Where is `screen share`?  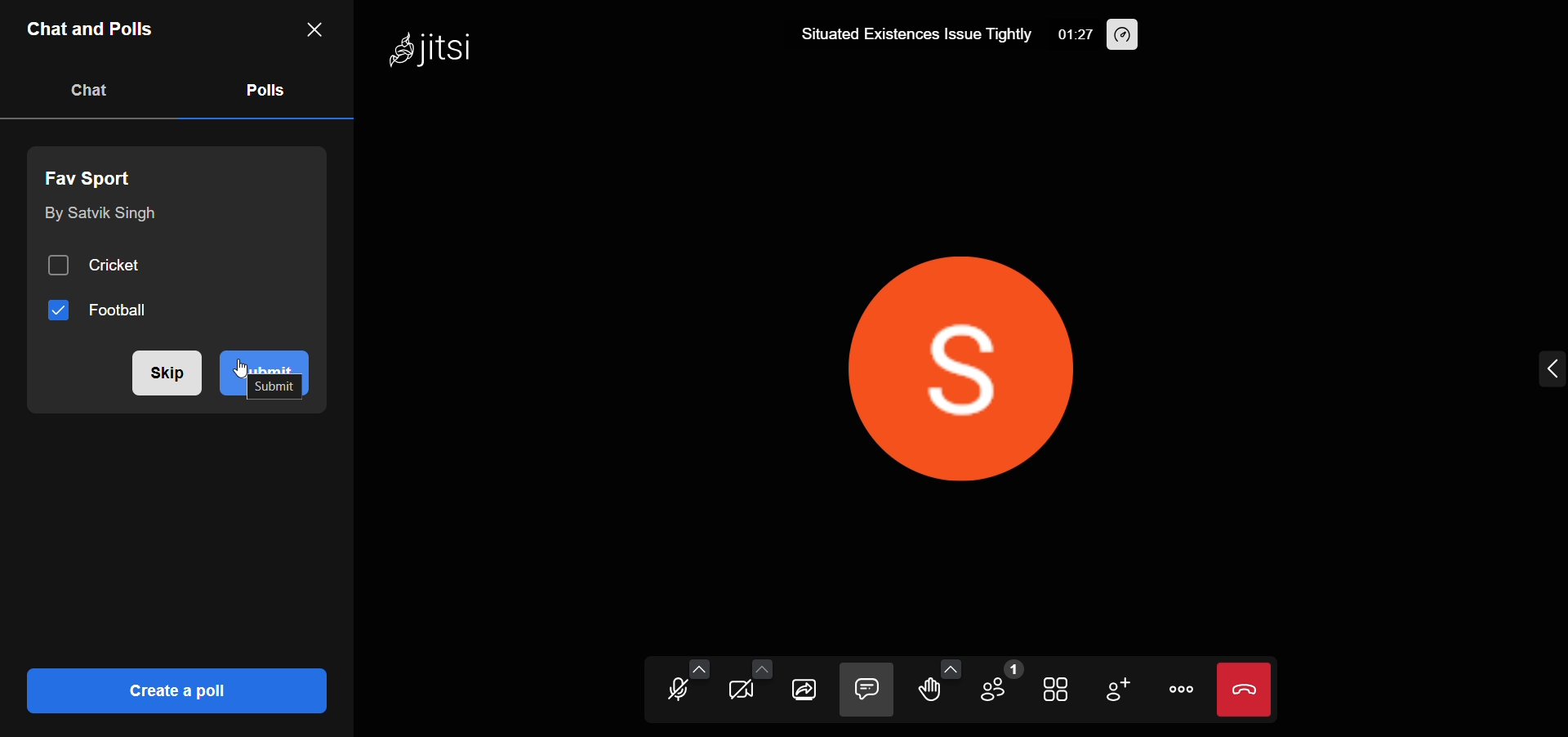 screen share is located at coordinates (804, 690).